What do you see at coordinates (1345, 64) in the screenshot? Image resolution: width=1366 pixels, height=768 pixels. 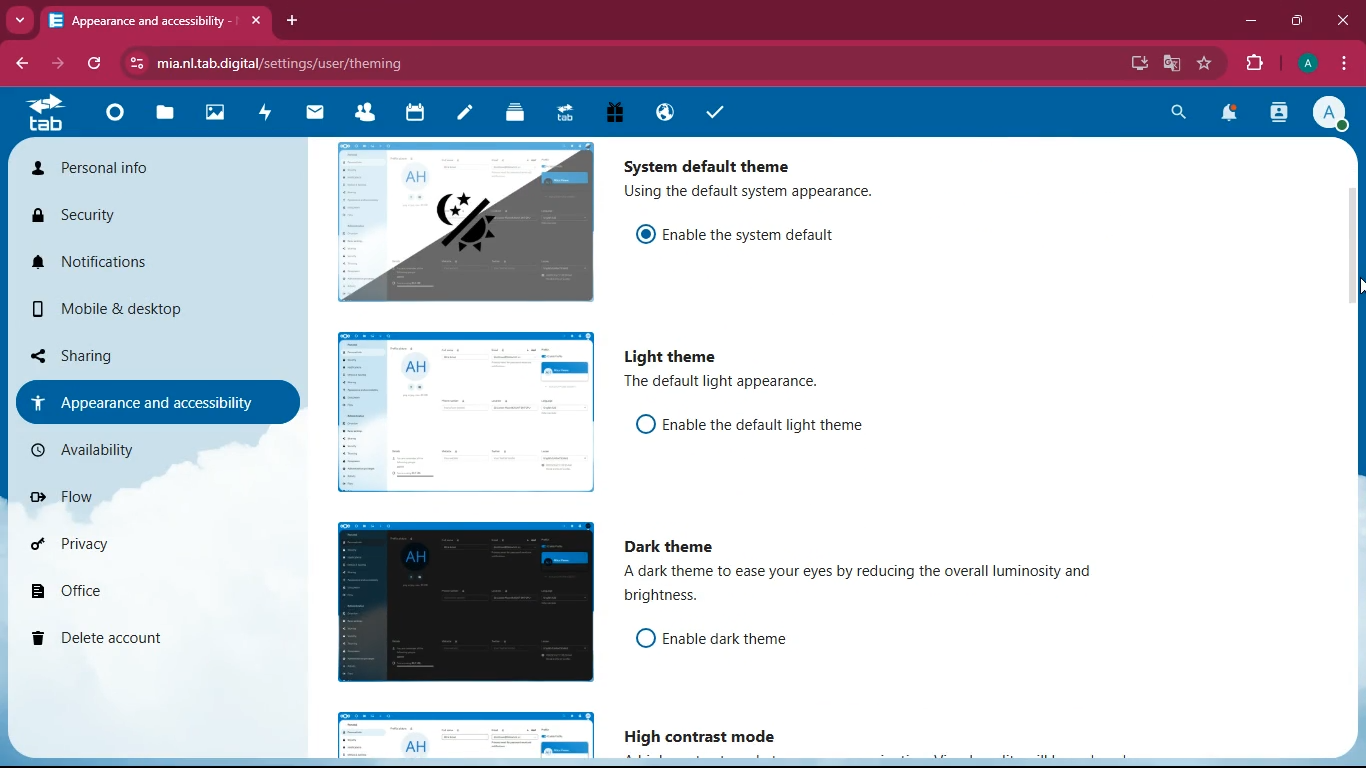 I see `menu` at bounding box center [1345, 64].